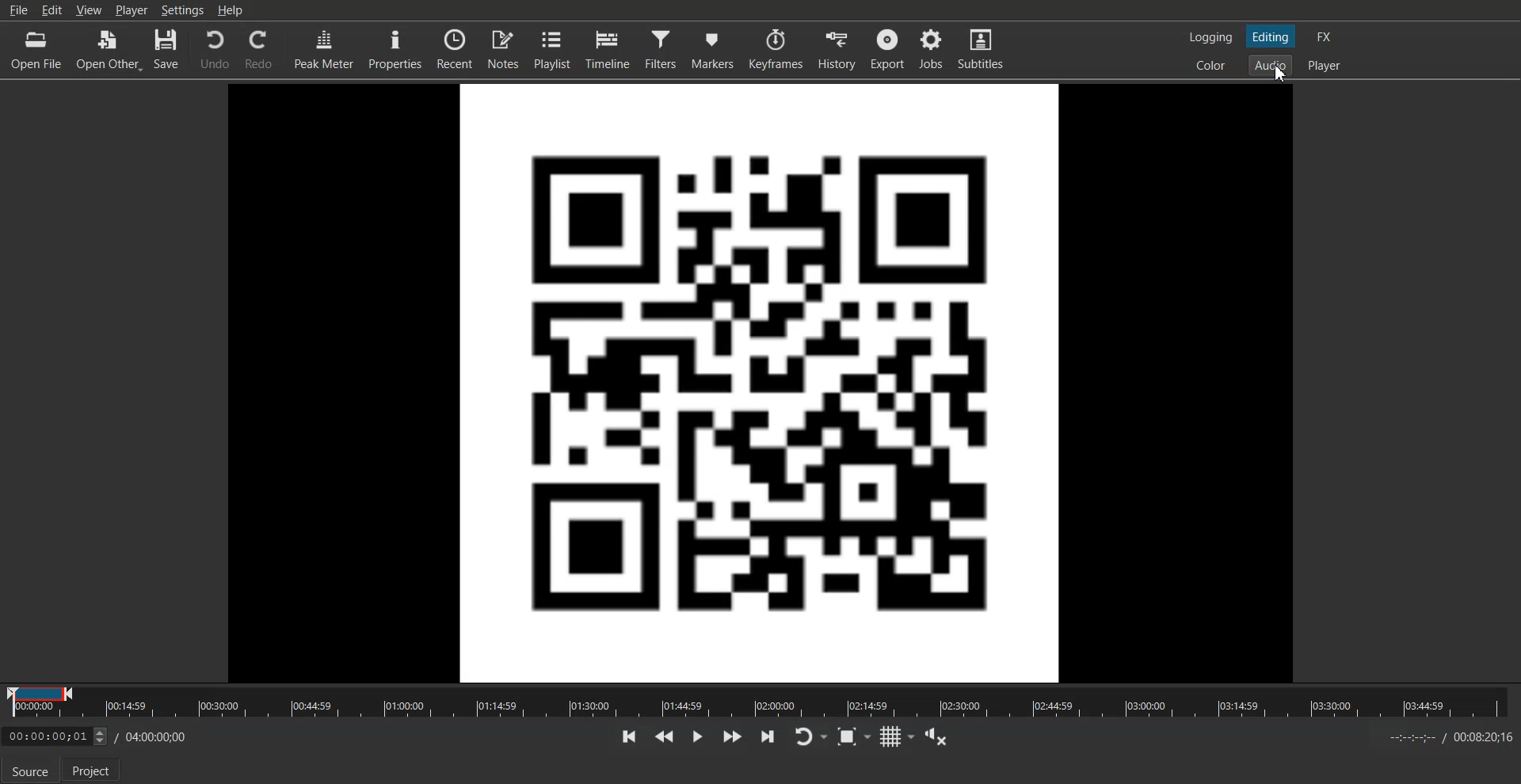  I want to click on Notes, so click(504, 50).